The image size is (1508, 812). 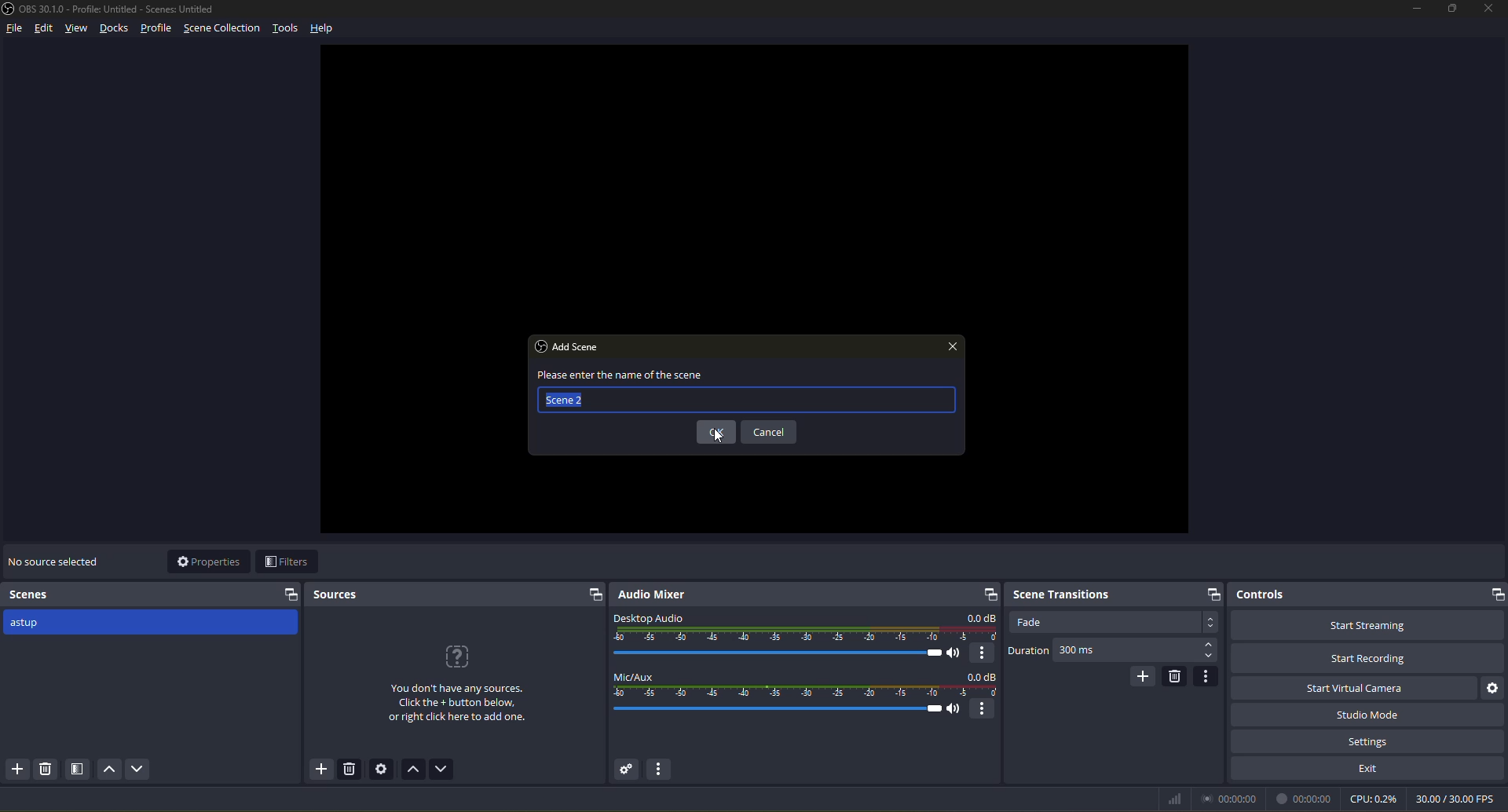 What do you see at coordinates (647, 619) in the screenshot?
I see `desktop audio` at bounding box center [647, 619].